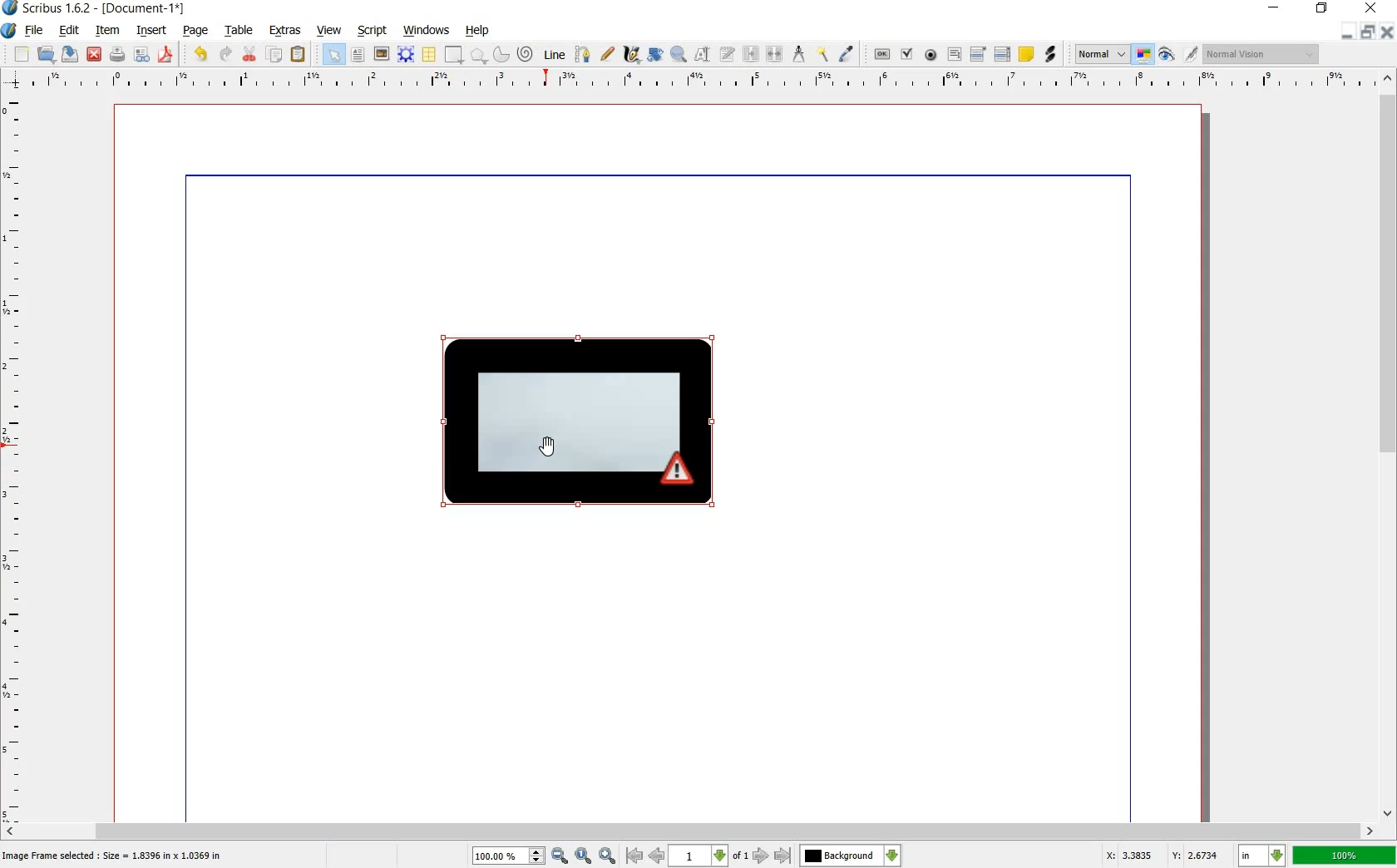 This screenshot has width=1397, height=868. What do you see at coordinates (1275, 8) in the screenshot?
I see `minimize` at bounding box center [1275, 8].